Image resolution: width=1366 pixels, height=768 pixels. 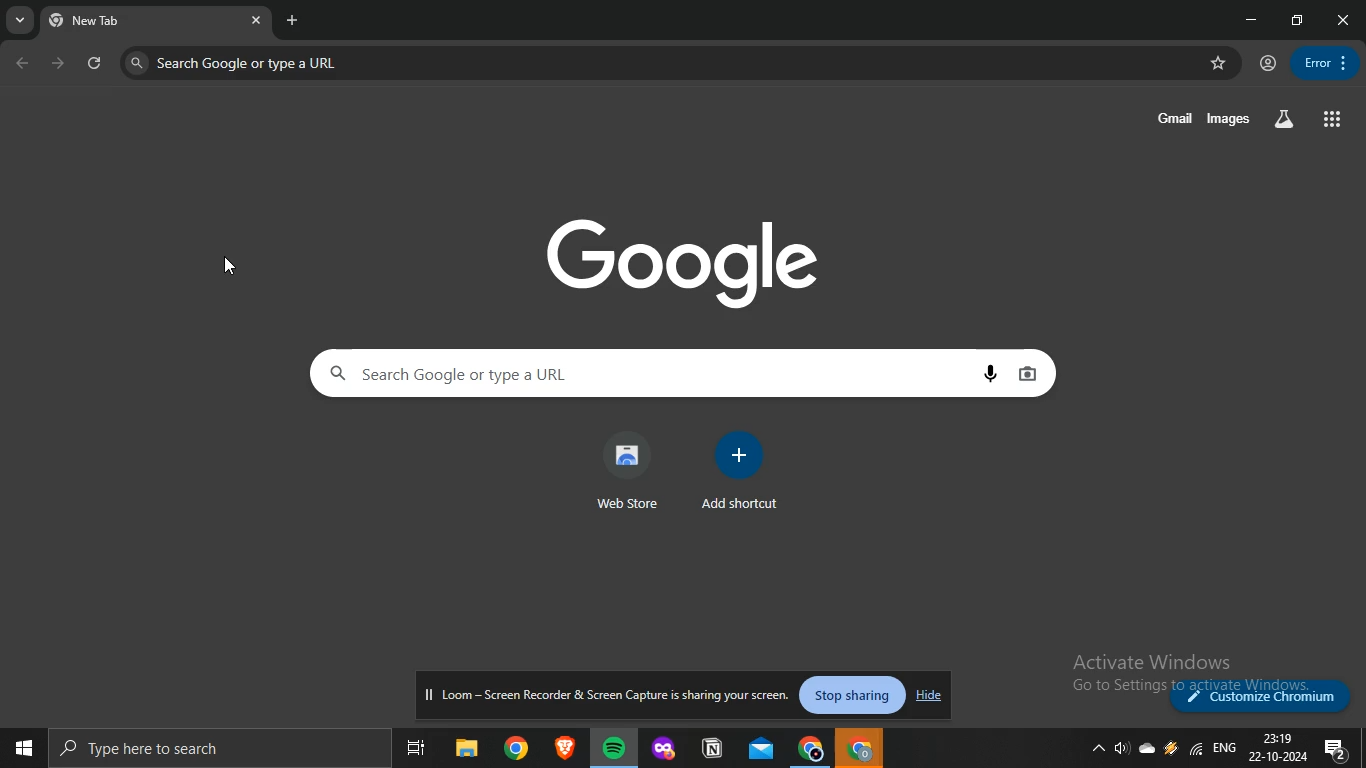 What do you see at coordinates (1322, 61) in the screenshot?
I see `menu` at bounding box center [1322, 61].